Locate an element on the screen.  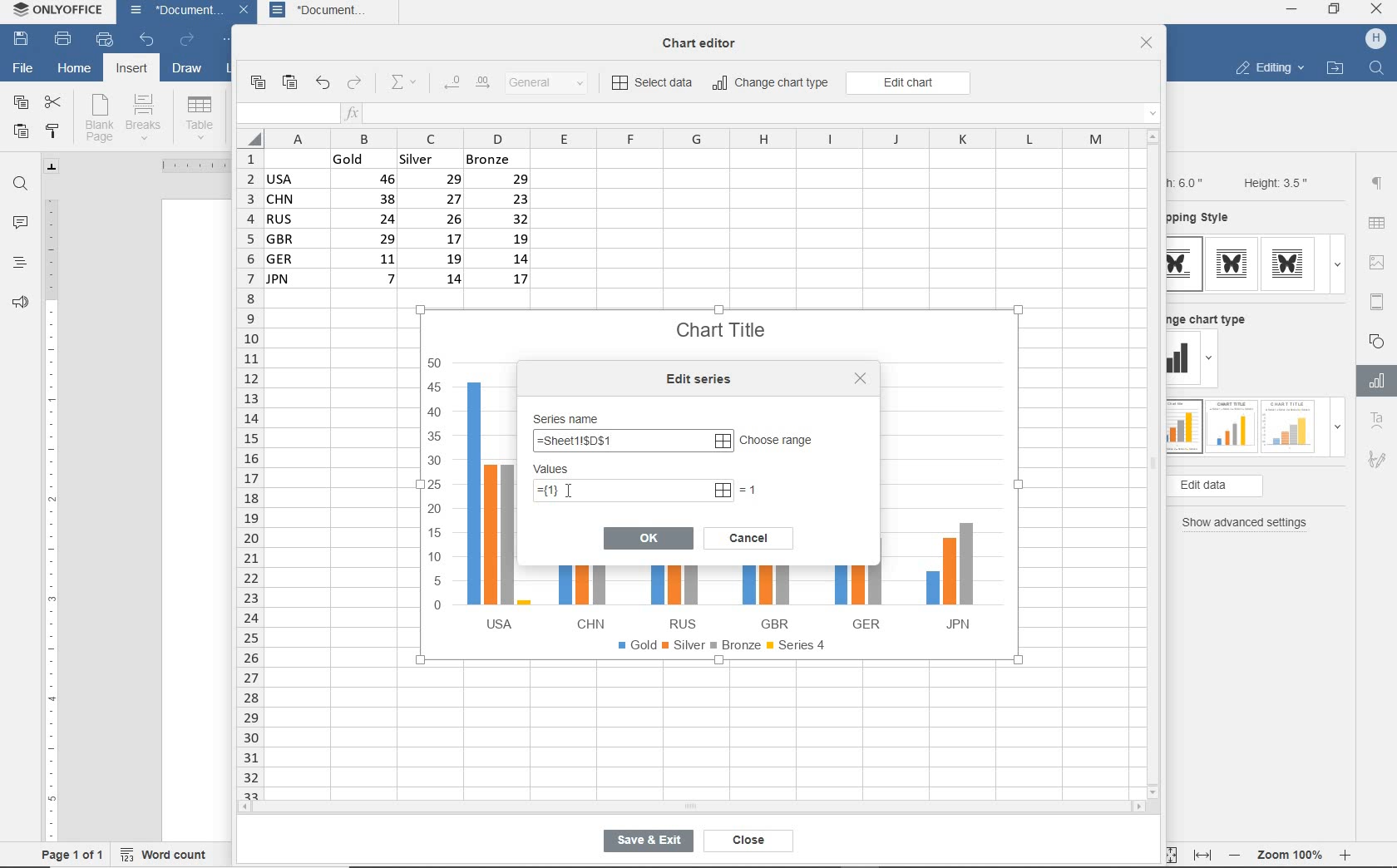
summation is located at coordinates (407, 83).